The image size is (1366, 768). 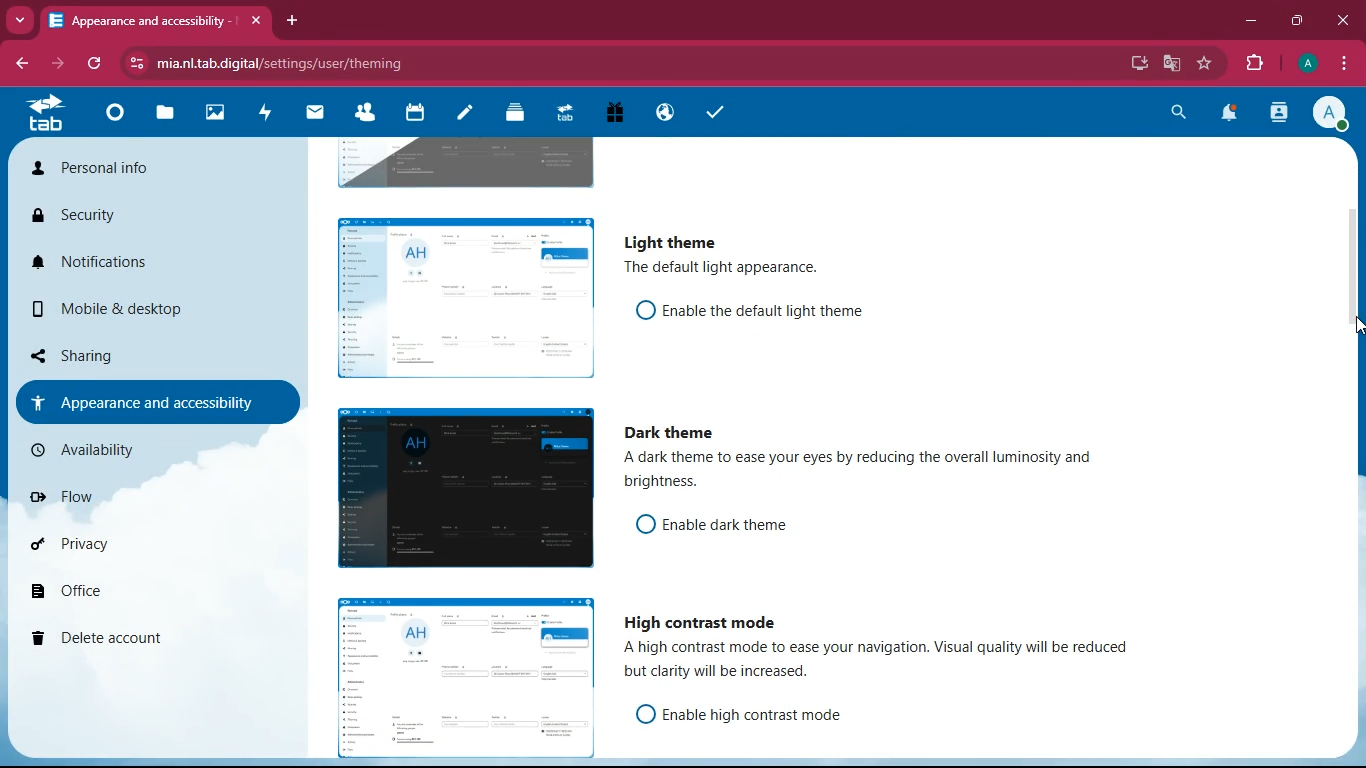 I want to click on appearance, so click(x=146, y=401).